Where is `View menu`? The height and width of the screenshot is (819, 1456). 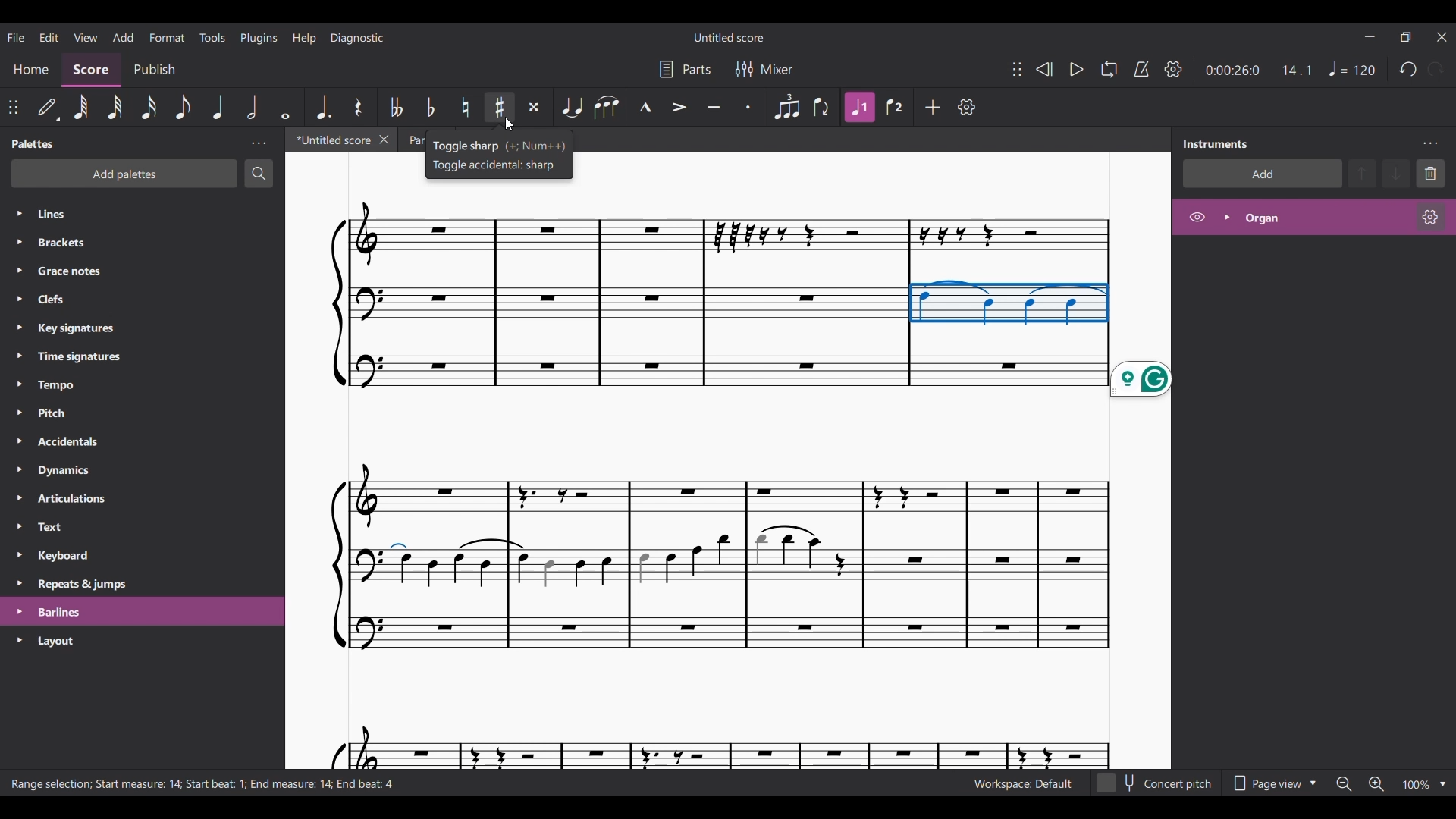
View menu is located at coordinates (85, 37).